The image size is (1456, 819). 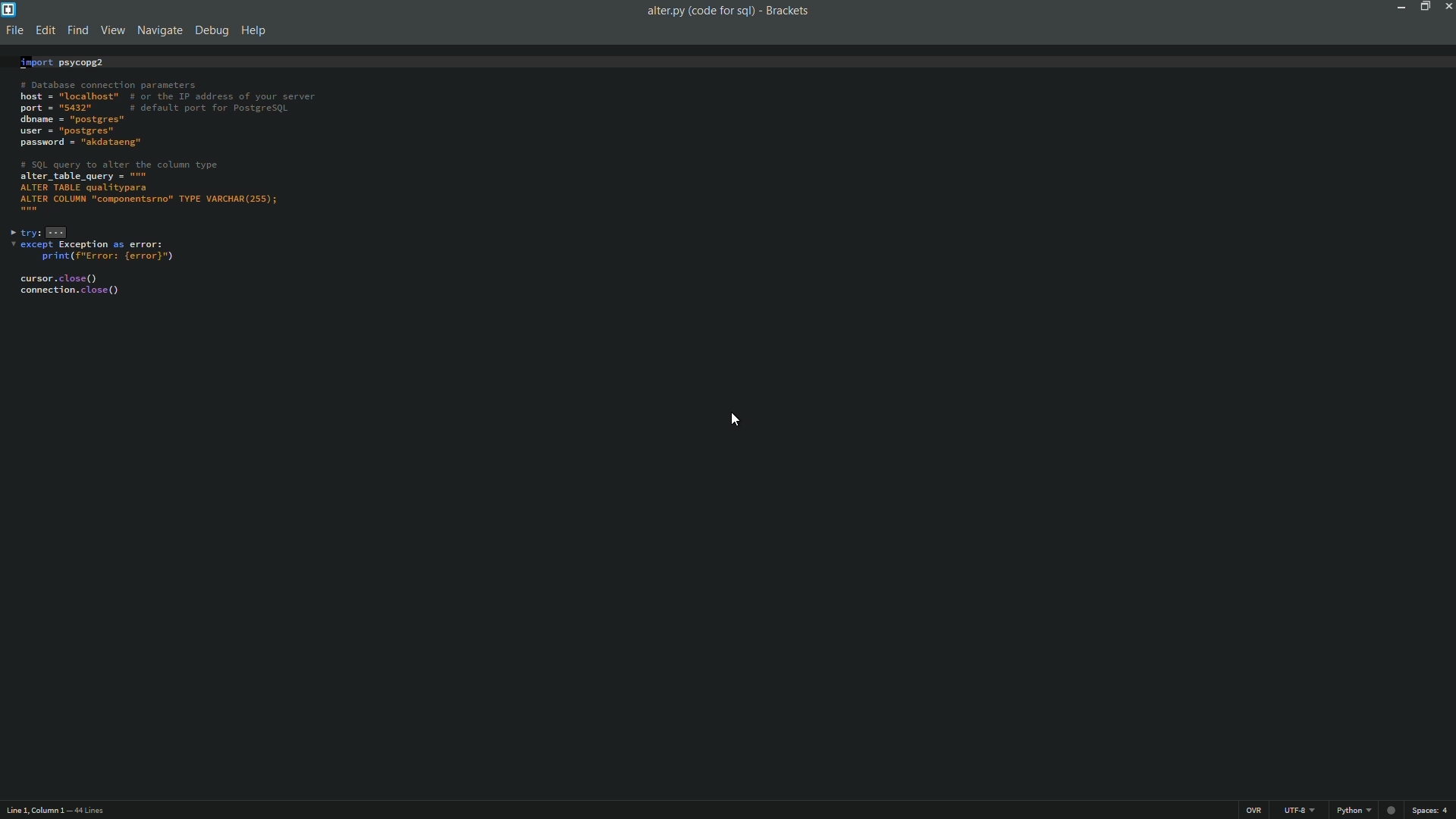 What do you see at coordinates (76, 32) in the screenshot?
I see `find menu` at bounding box center [76, 32].